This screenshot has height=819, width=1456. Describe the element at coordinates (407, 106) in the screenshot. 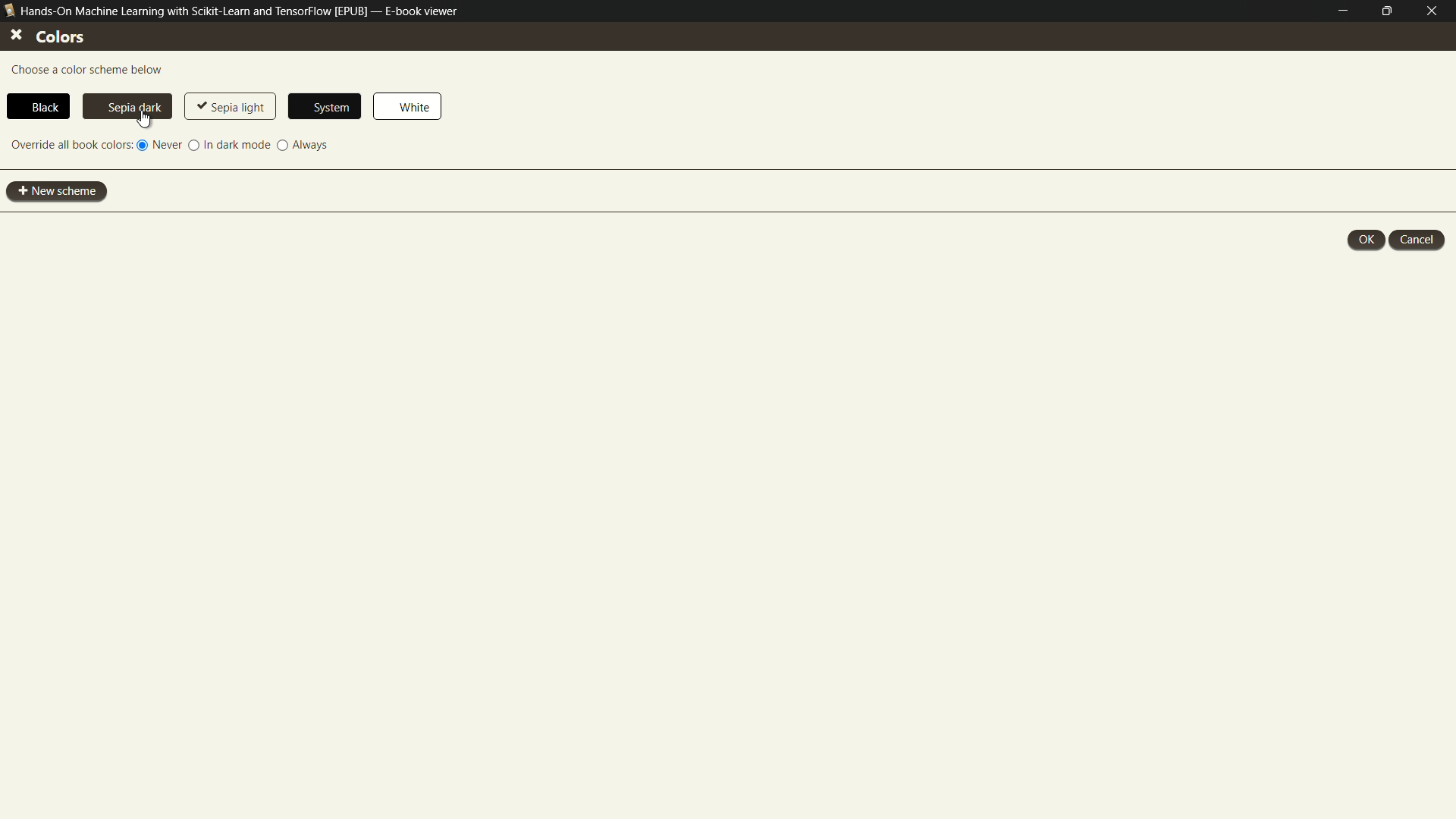

I see `white` at that location.